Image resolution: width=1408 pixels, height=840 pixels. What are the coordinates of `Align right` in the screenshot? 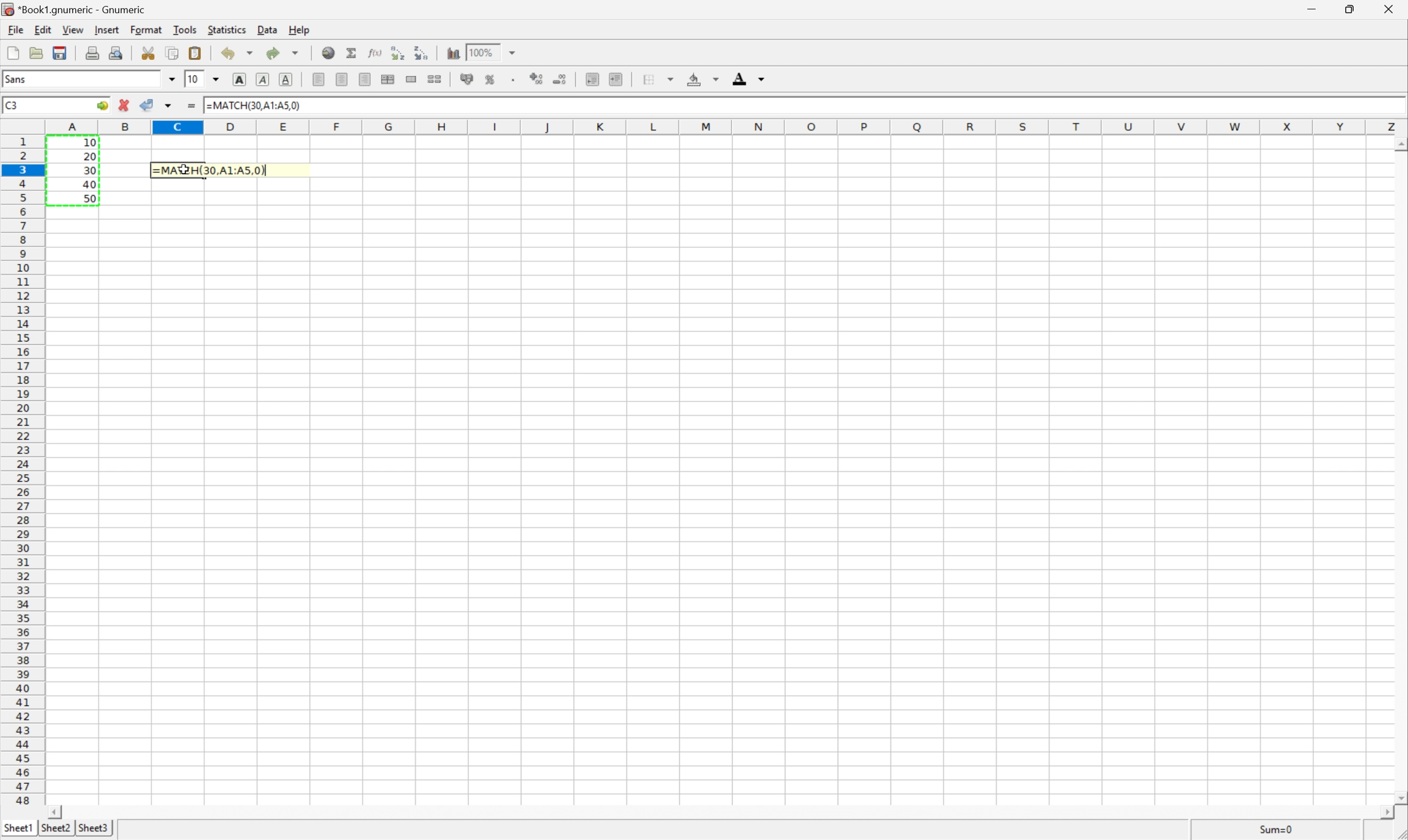 It's located at (365, 79).